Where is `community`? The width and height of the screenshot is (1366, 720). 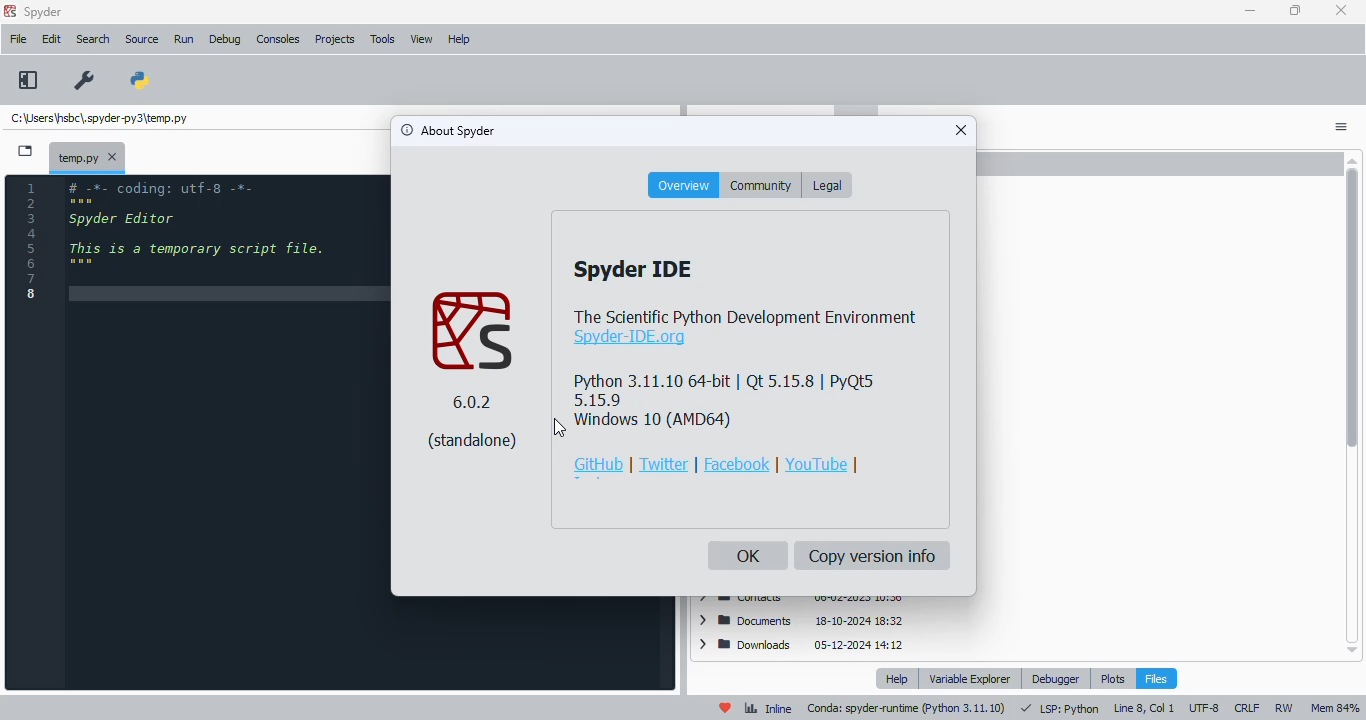
community is located at coordinates (762, 185).